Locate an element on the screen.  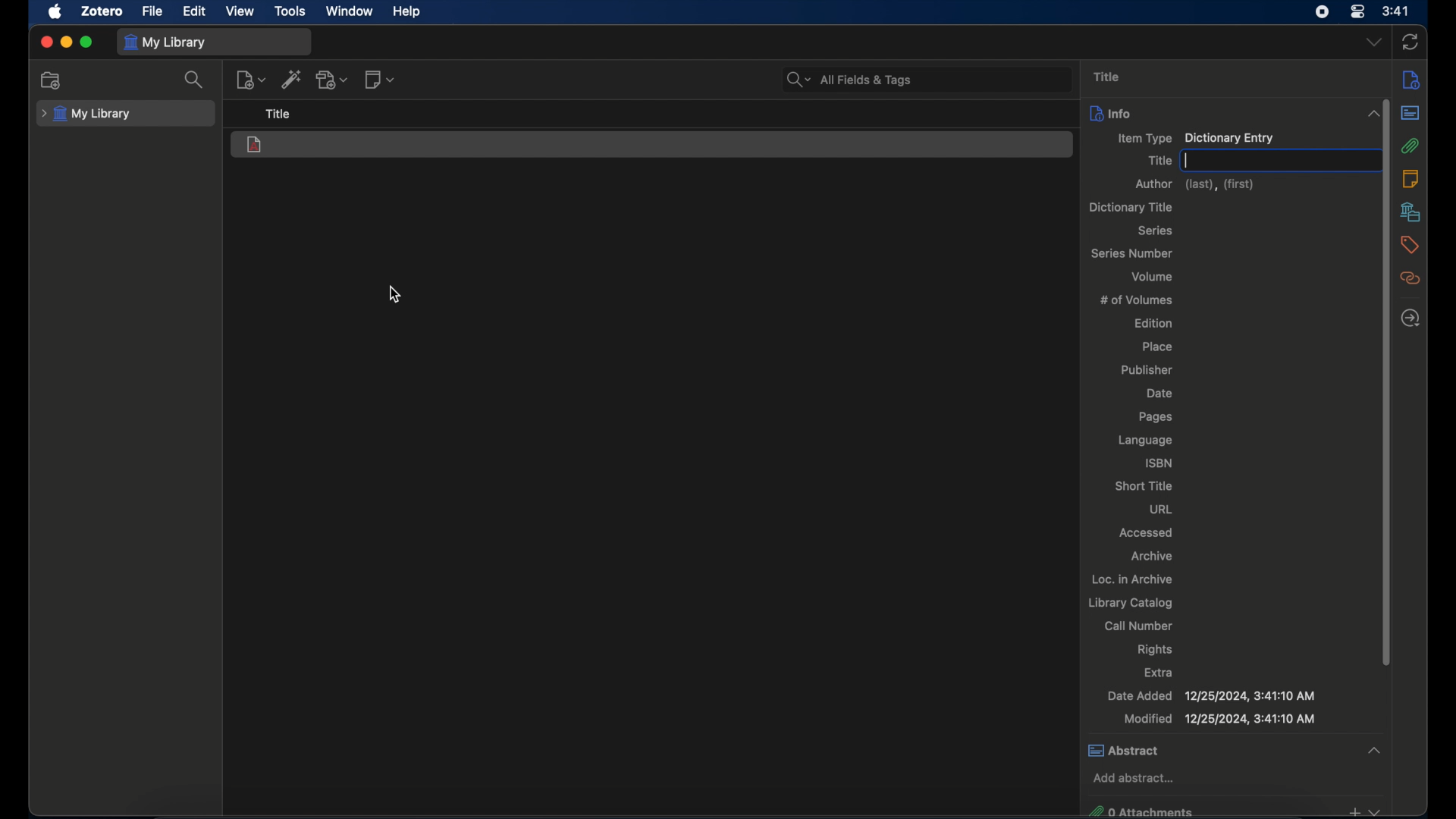
dictionary title is located at coordinates (1130, 207).